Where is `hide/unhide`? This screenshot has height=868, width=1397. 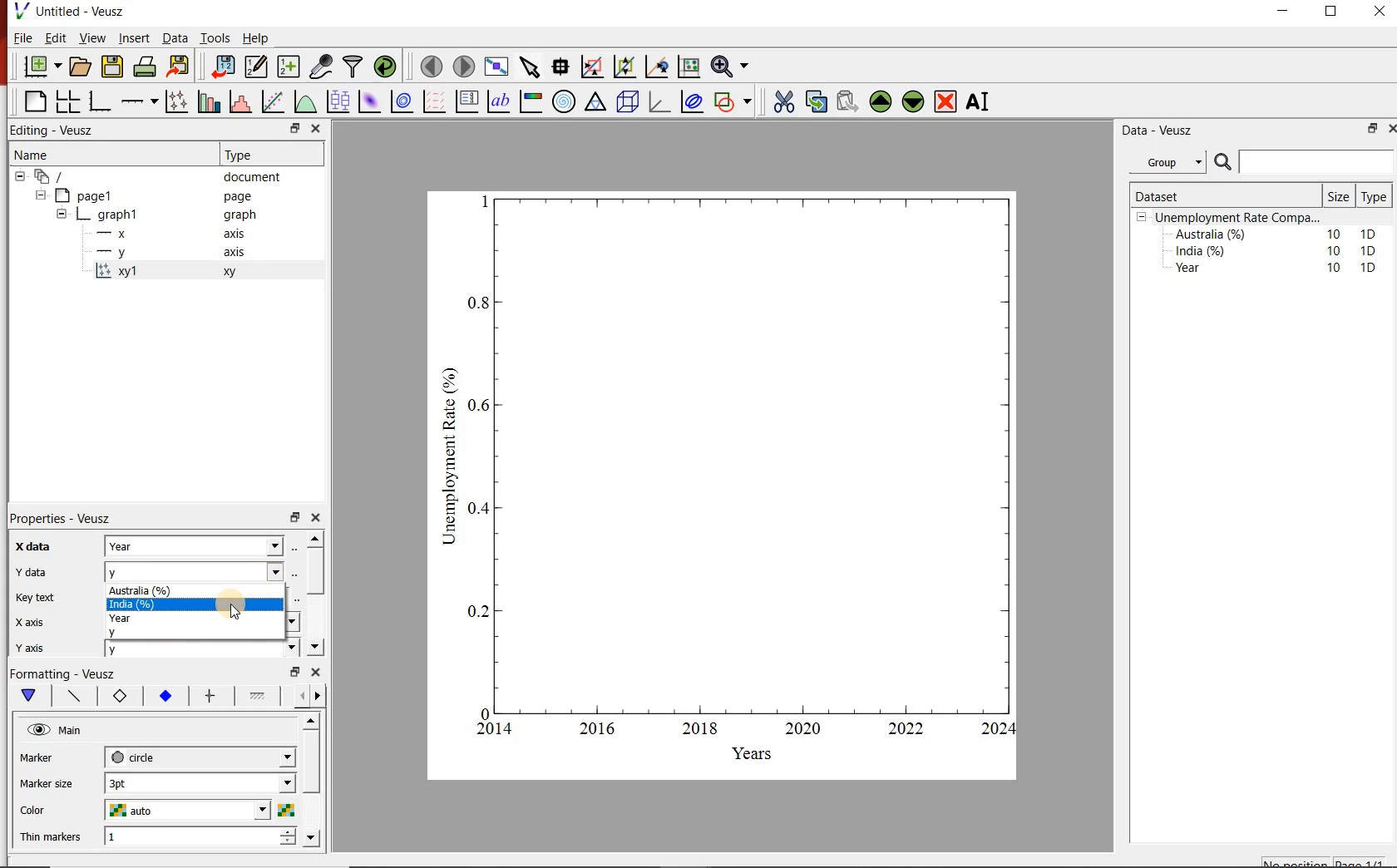
hide/unhide is located at coordinates (38, 729).